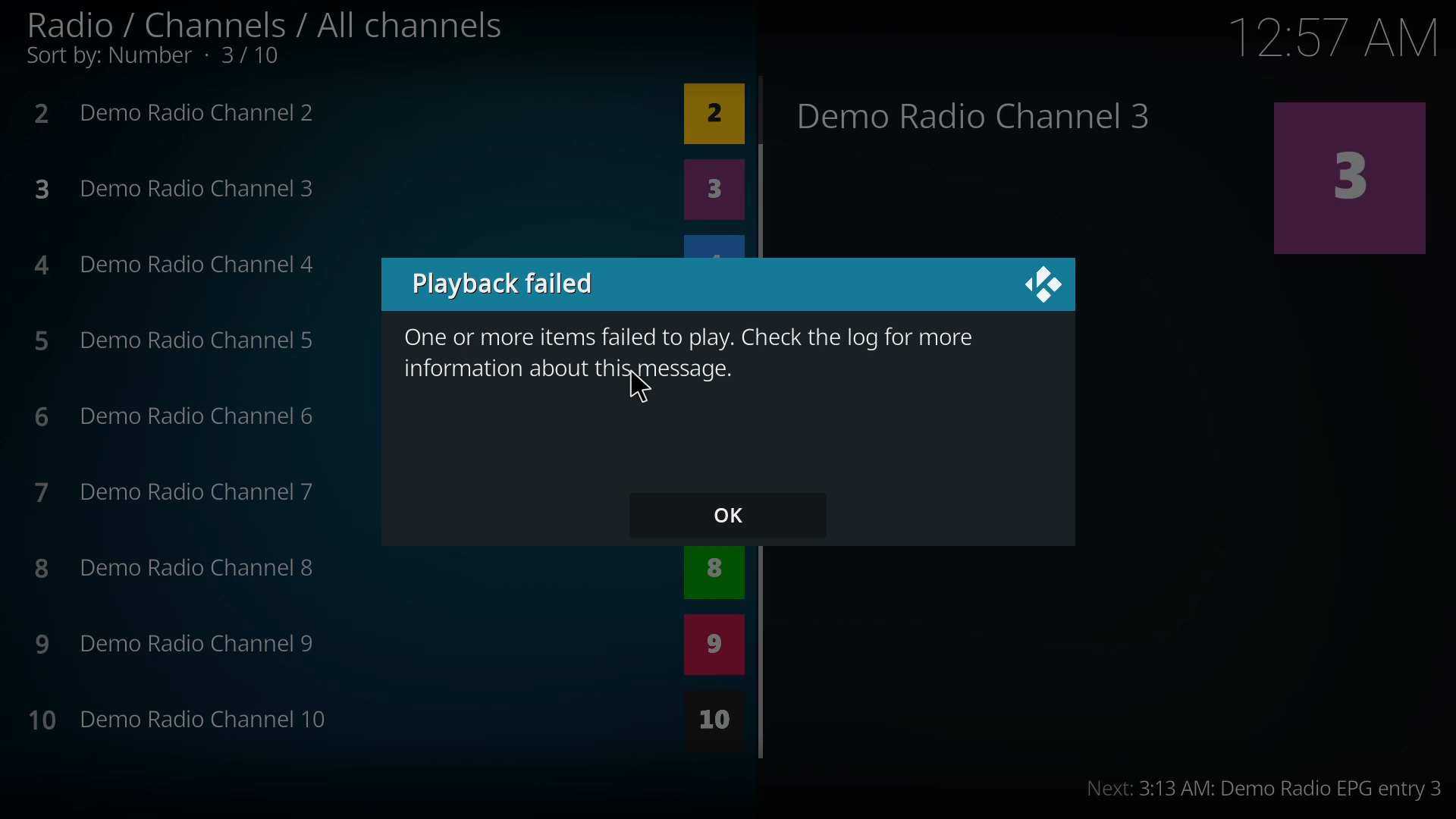  What do you see at coordinates (1043, 281) in the screenshot?
I see `close` at bounding box center [1043, 281].